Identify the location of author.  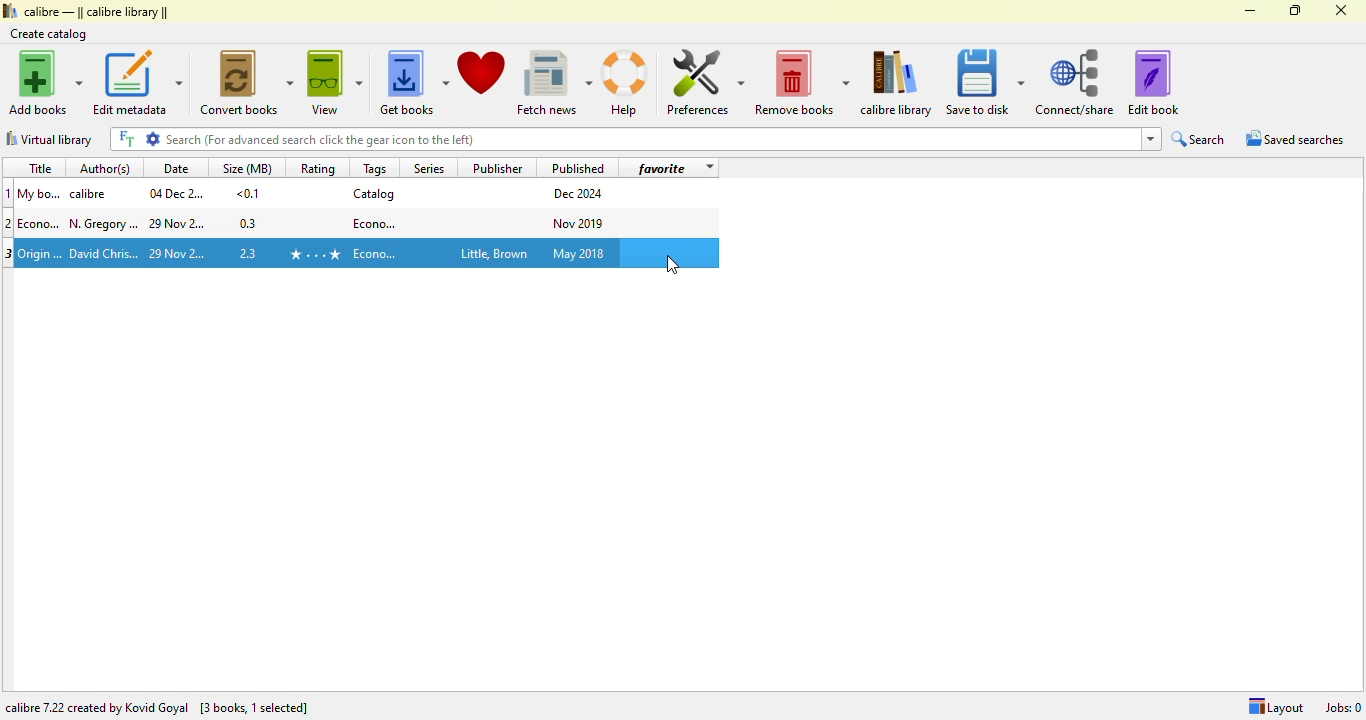
(92, 194).